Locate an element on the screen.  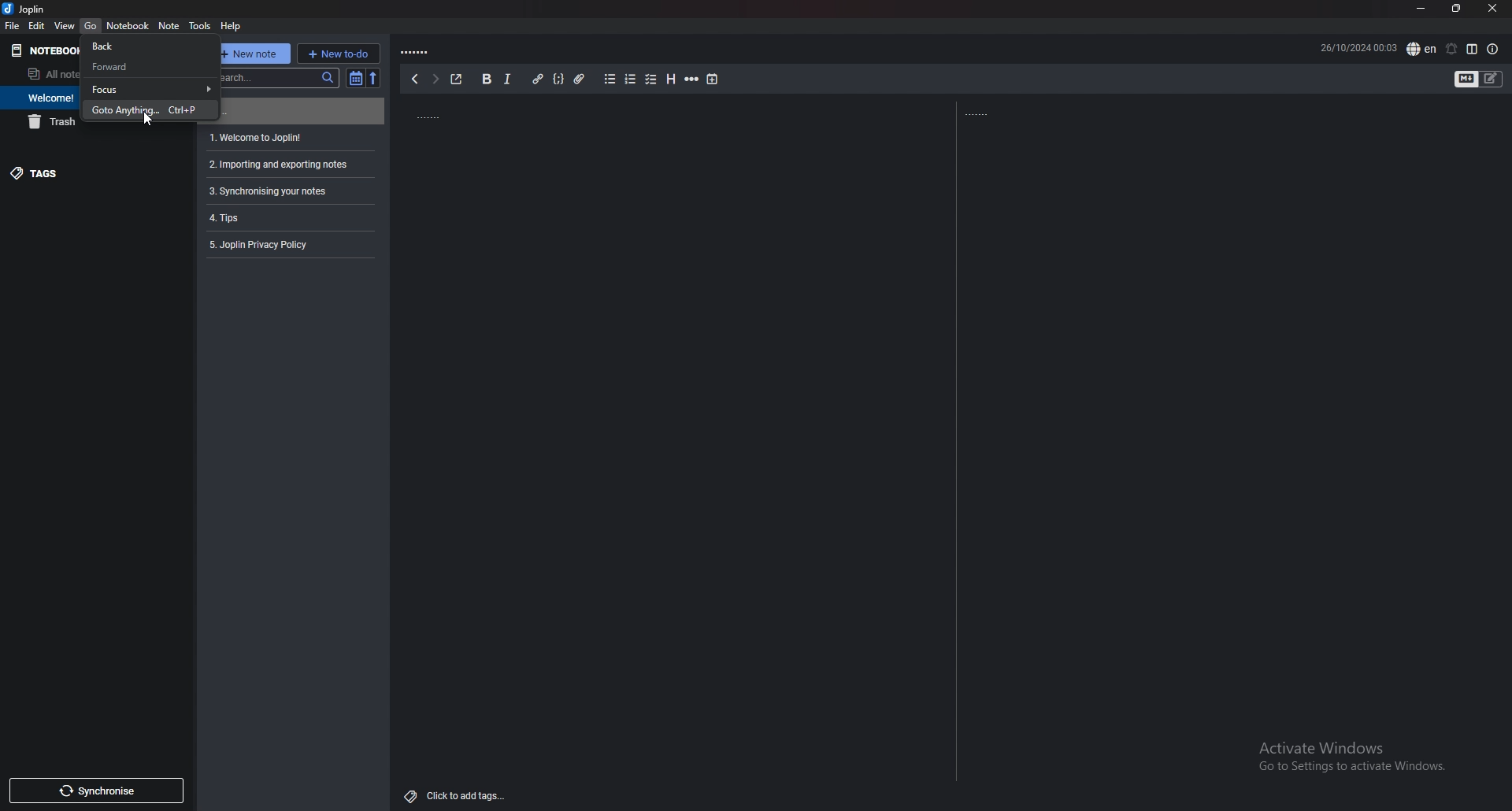
back is located at coordinates (150, 45).